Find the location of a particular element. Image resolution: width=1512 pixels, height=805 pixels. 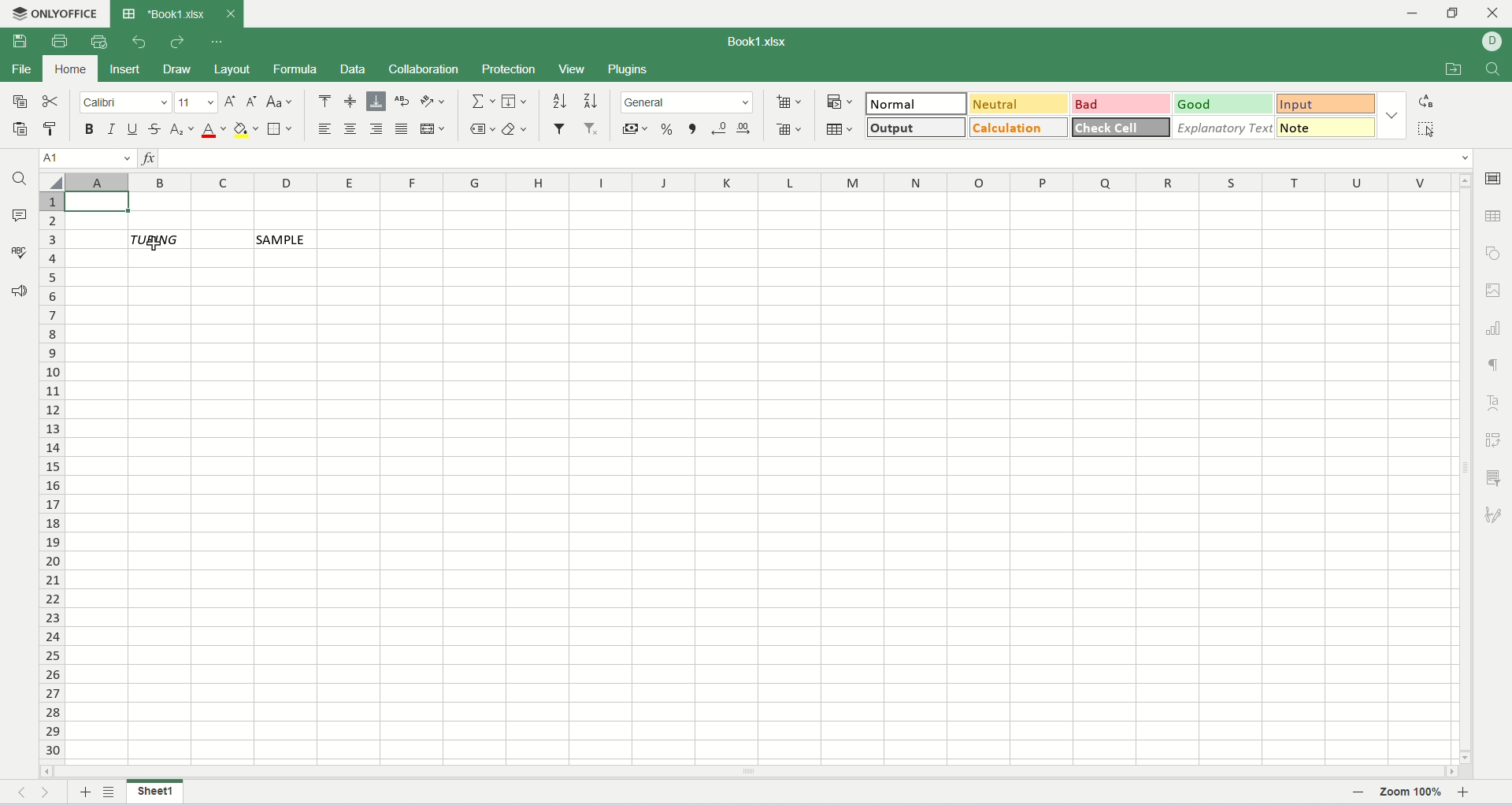

cut is located at coordinates (52, 100).